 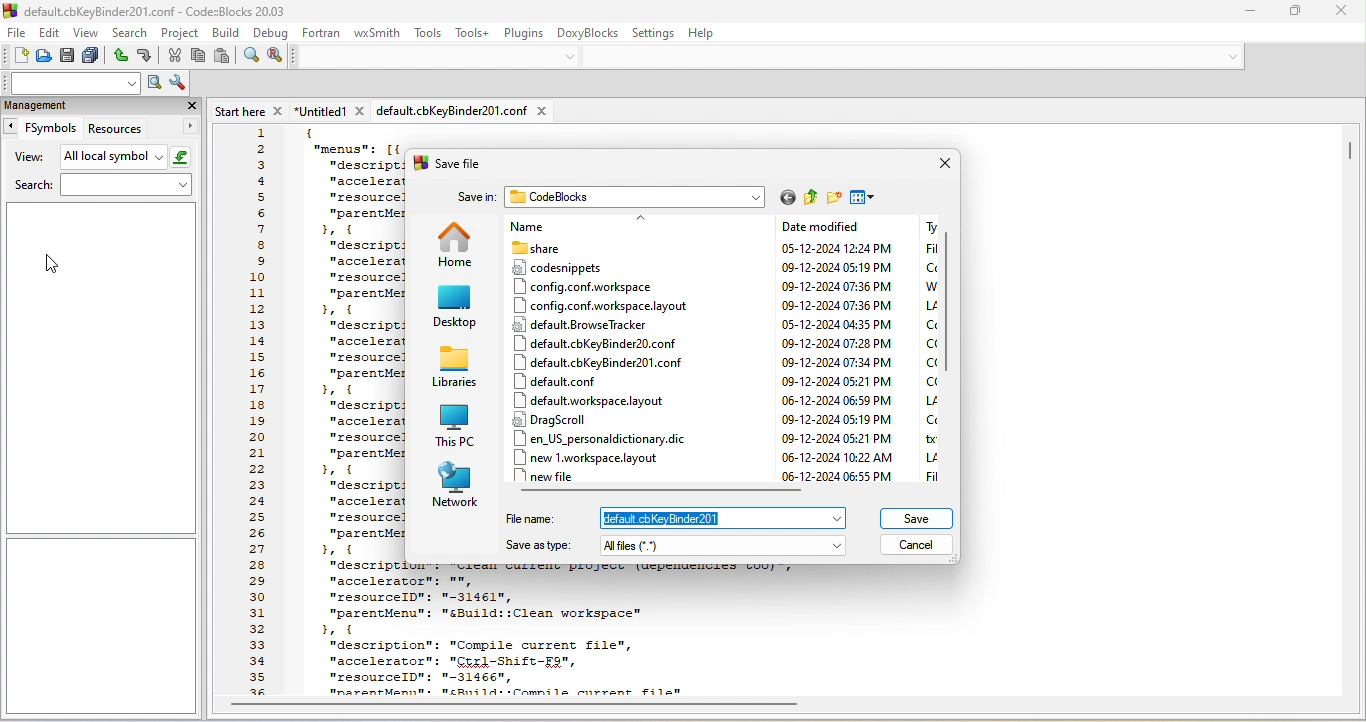 I want to click on dragscroll, so click(x=554, y=419).